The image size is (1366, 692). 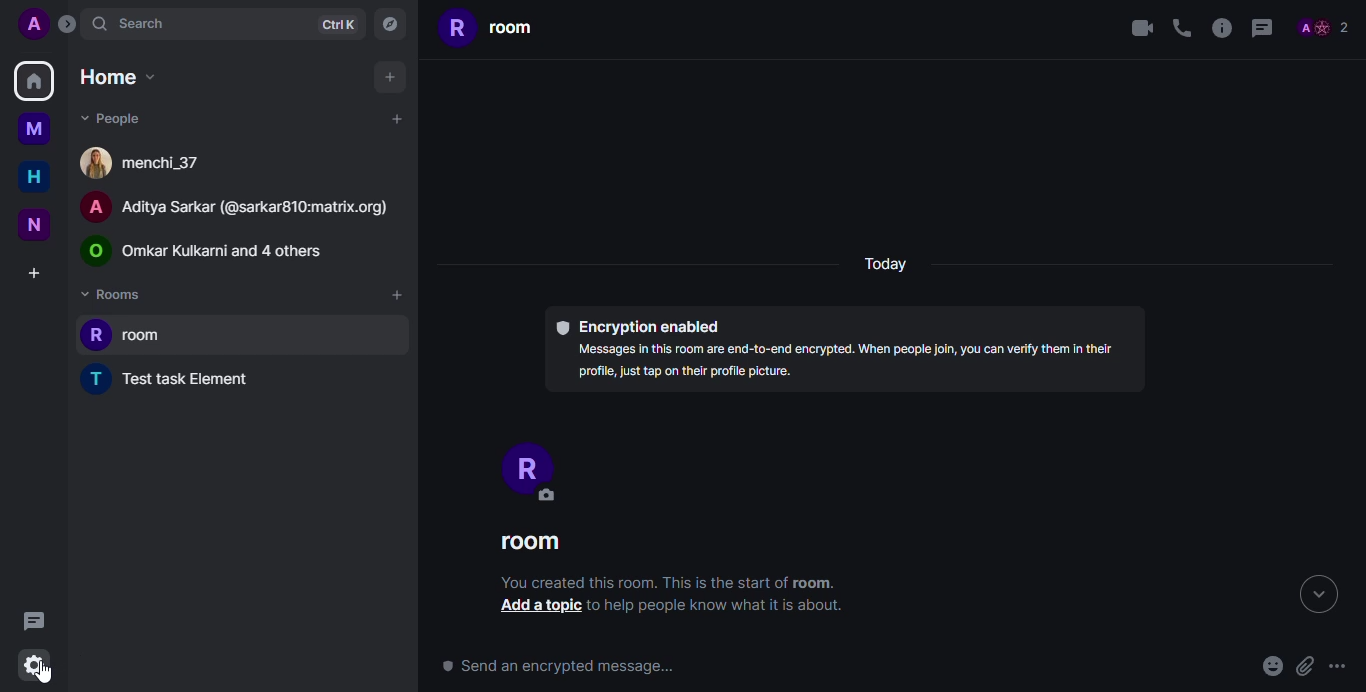 I want to click on rooms dropdown, so click(x=126, y=295).